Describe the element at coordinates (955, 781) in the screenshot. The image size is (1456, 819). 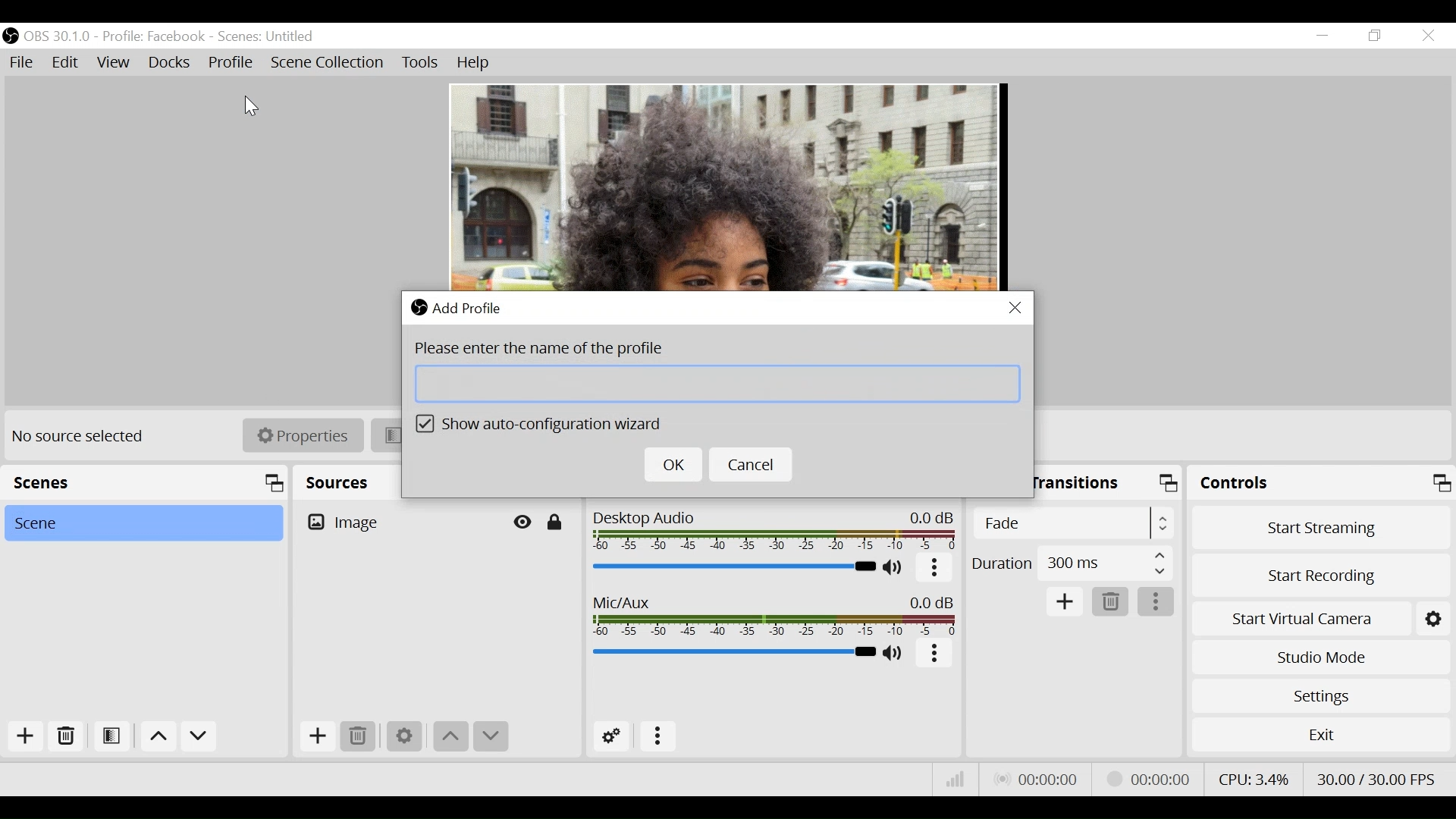
I see `Bitrate` at that location.